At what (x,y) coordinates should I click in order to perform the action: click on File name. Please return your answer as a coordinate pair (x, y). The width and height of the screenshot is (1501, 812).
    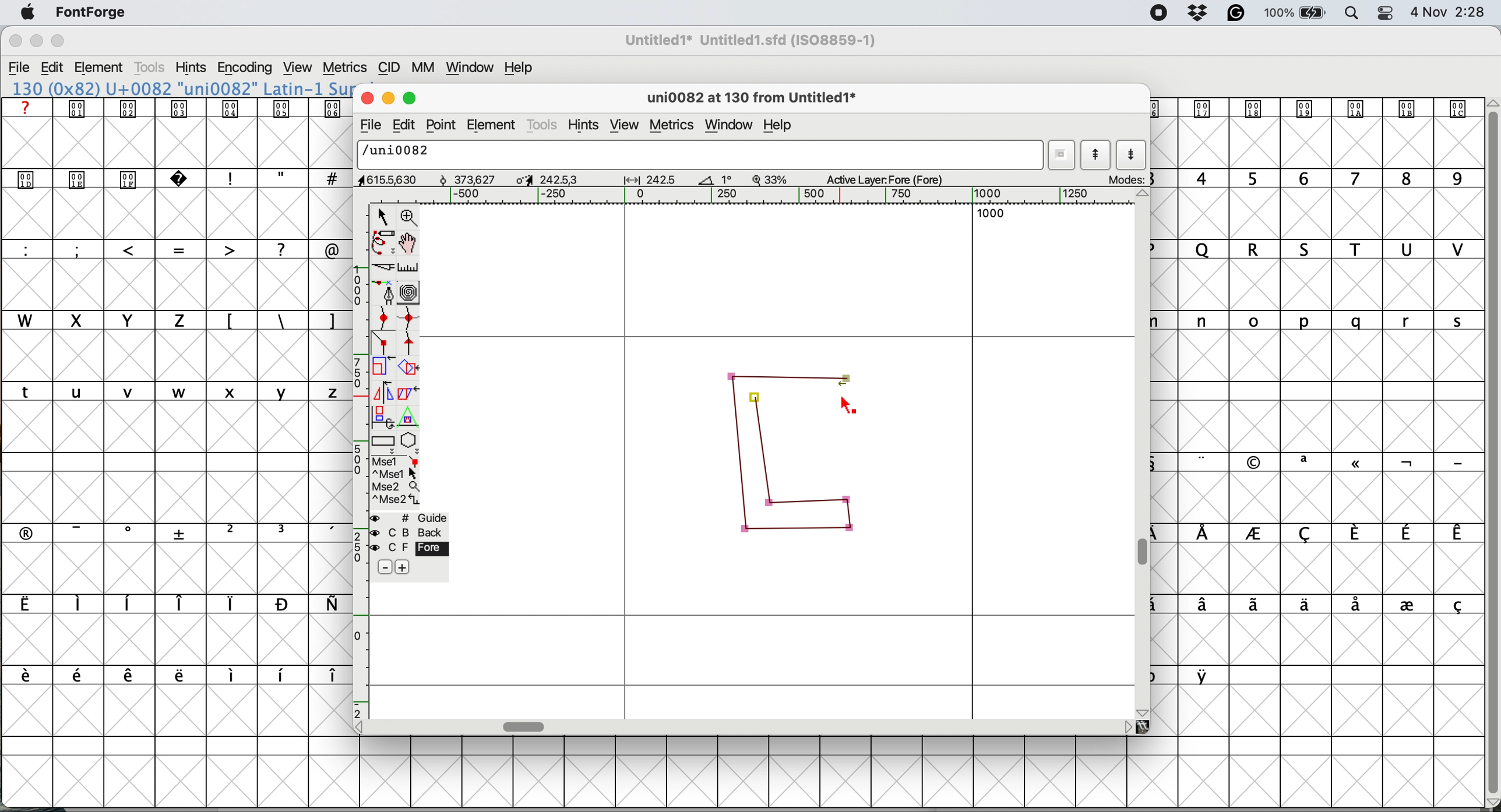
    Looking at the image, I should click on (747, 40).